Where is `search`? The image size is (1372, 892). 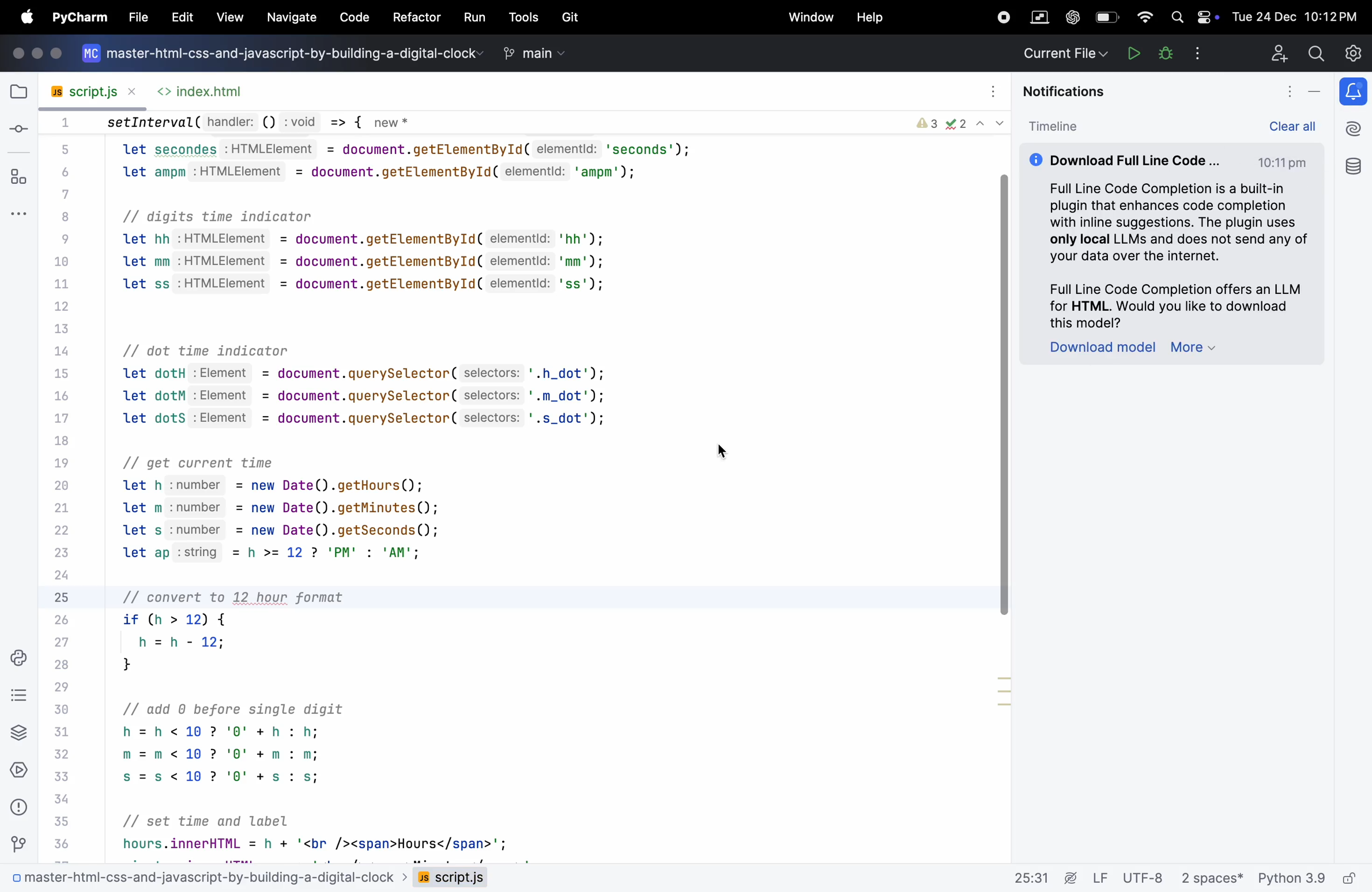 search is located at coordinates (1313, 53).